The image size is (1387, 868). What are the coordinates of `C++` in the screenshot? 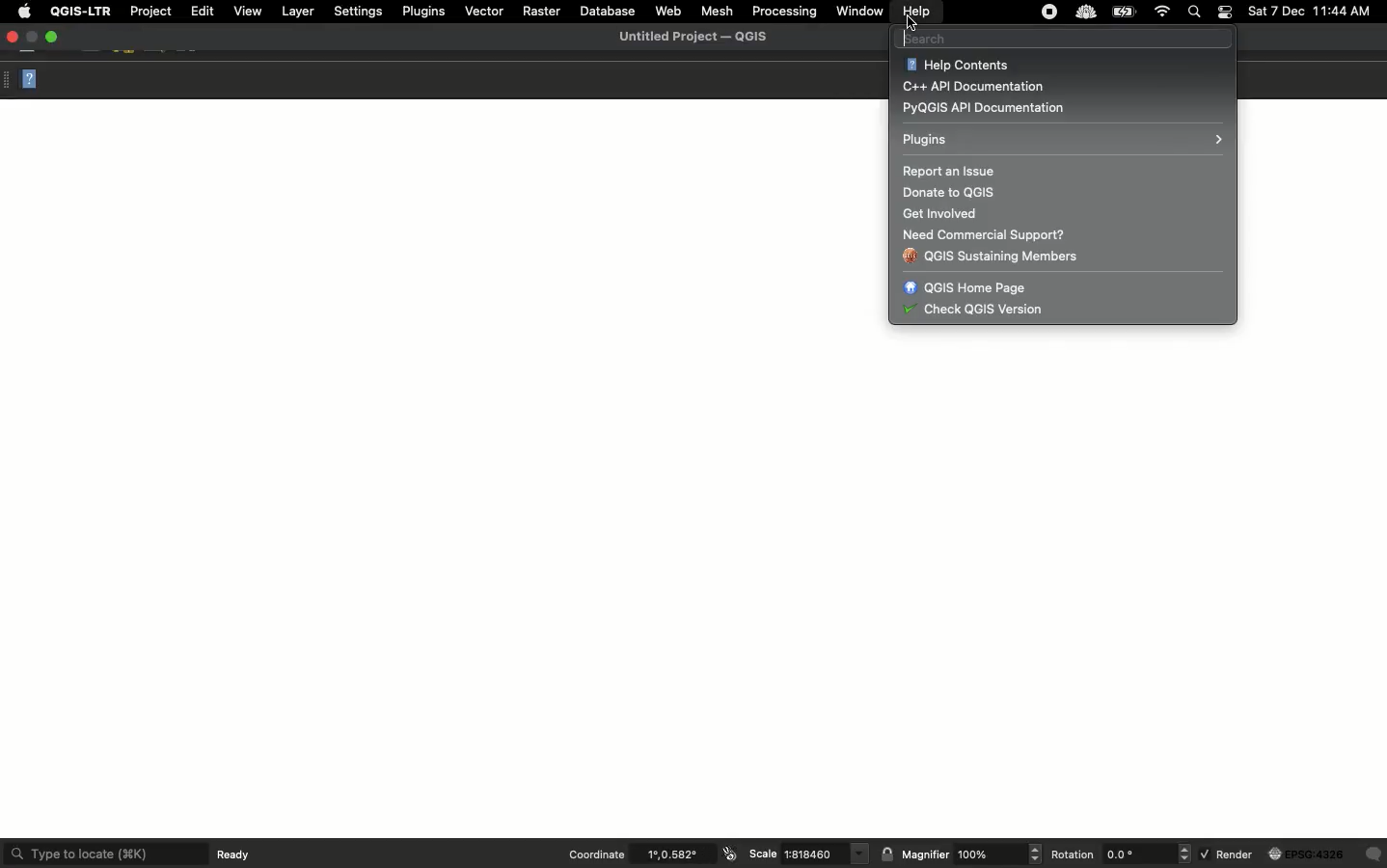 It's located at (982, 87).